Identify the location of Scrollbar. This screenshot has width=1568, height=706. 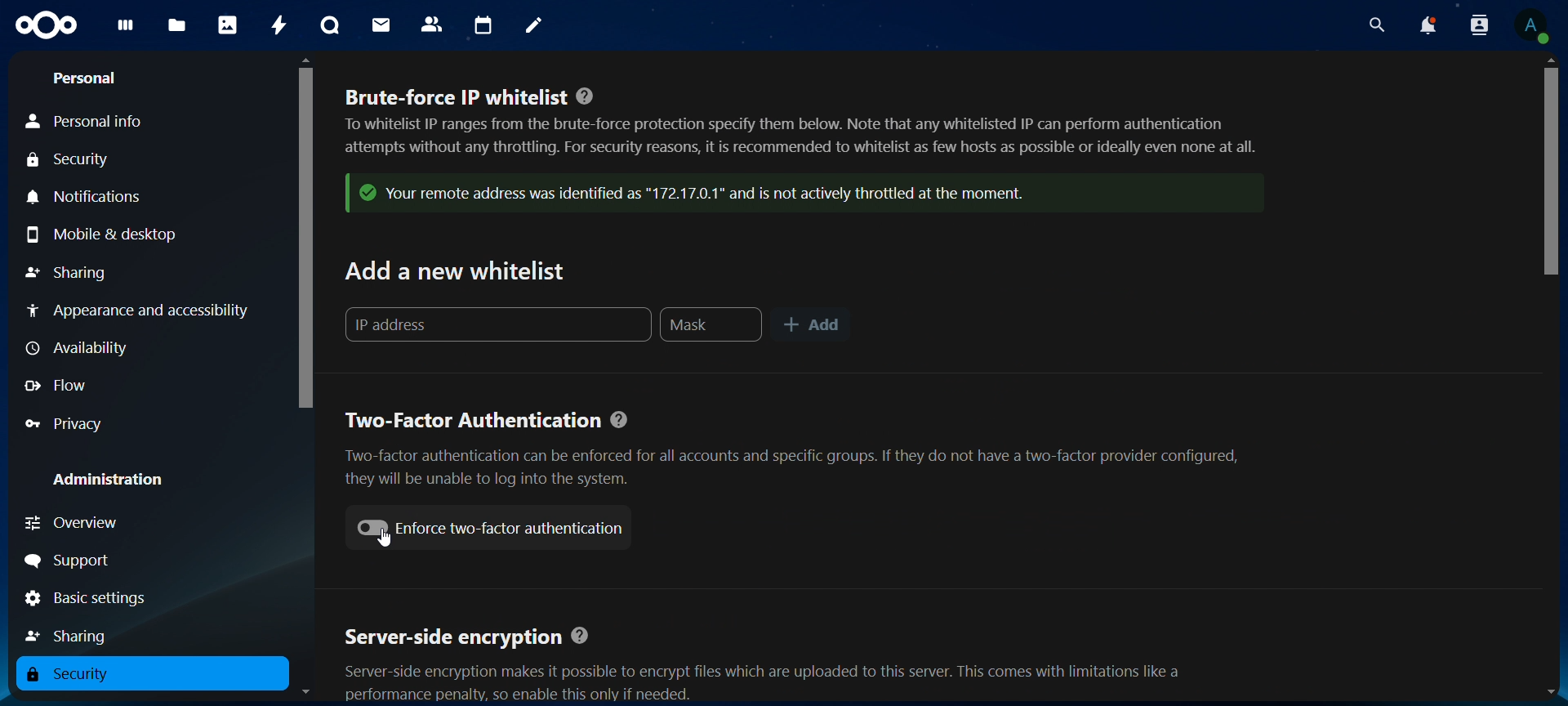
(306, 379).